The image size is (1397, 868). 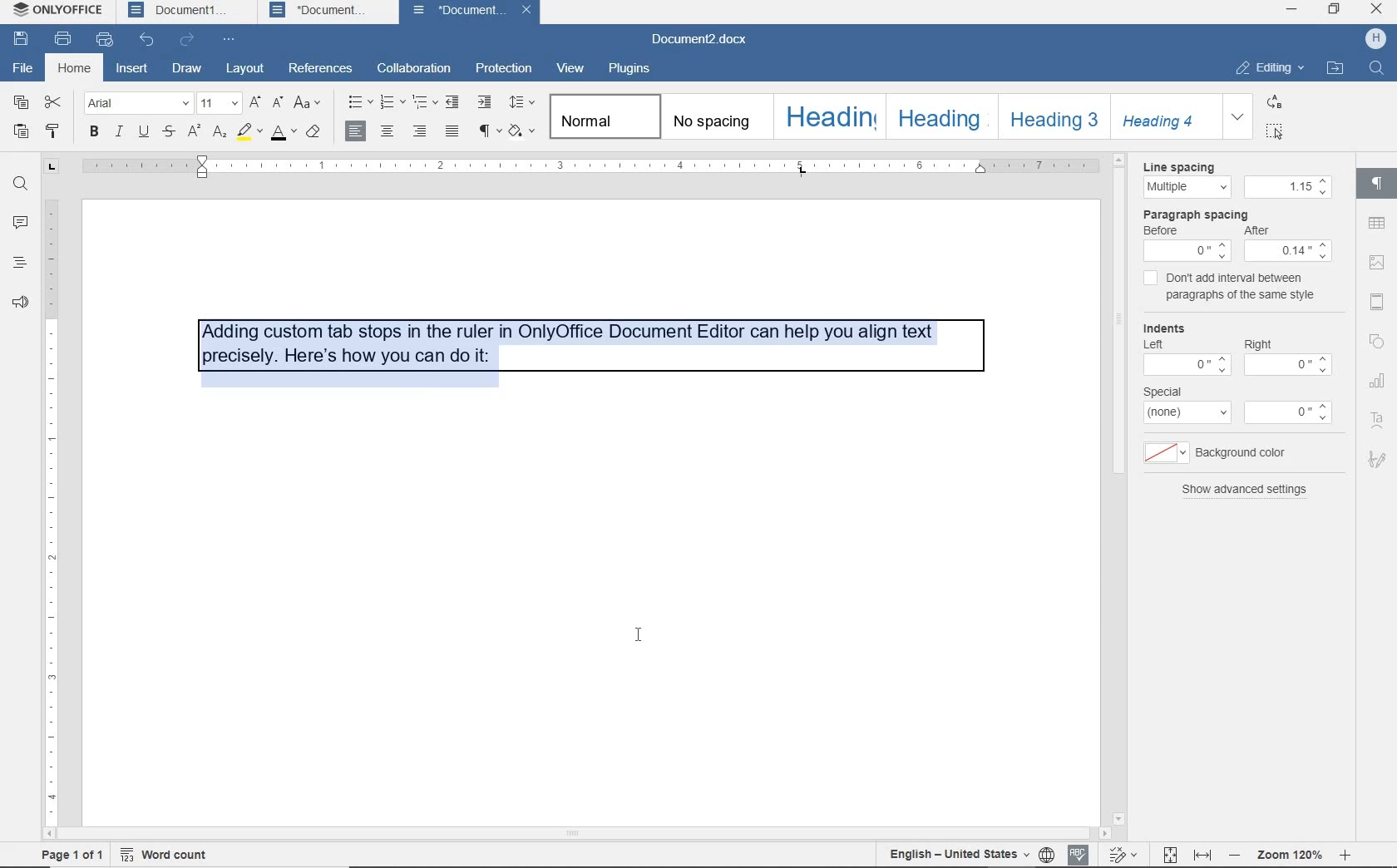 I want to click on headings, so click(x=17, y=264).